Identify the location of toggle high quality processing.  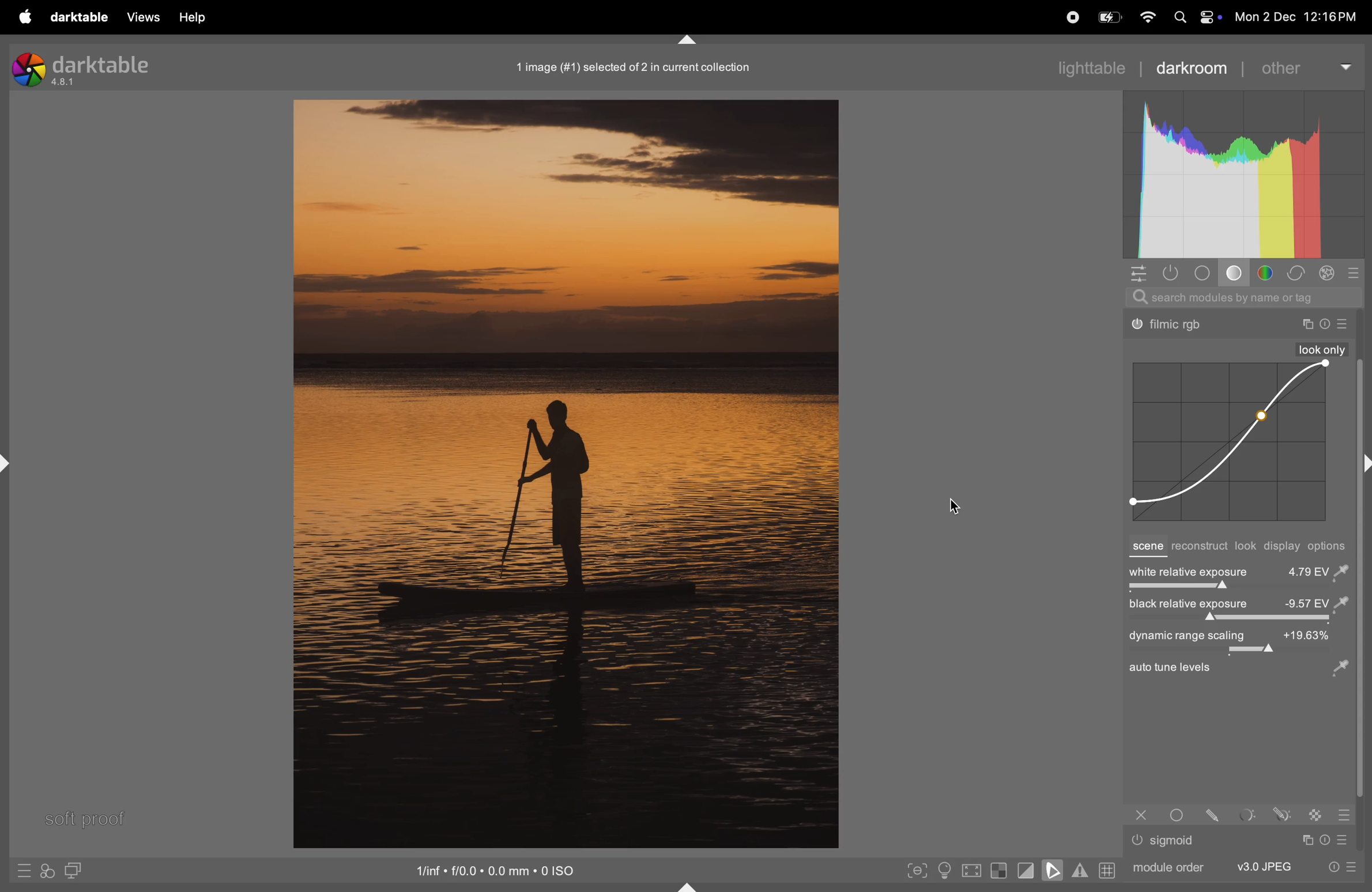
(973, 872).